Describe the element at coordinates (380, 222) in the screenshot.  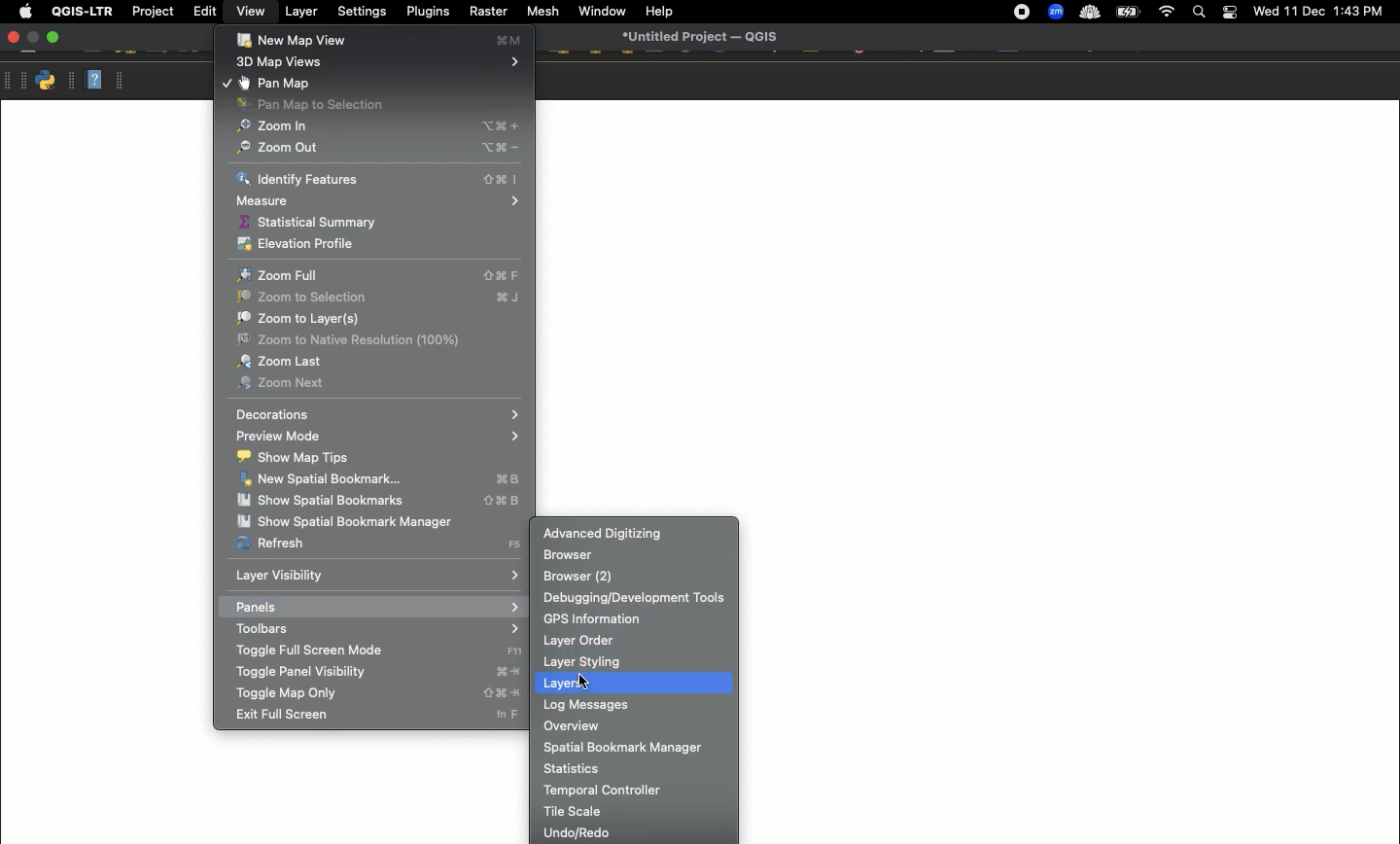
I see `Statistical summary` at that location.